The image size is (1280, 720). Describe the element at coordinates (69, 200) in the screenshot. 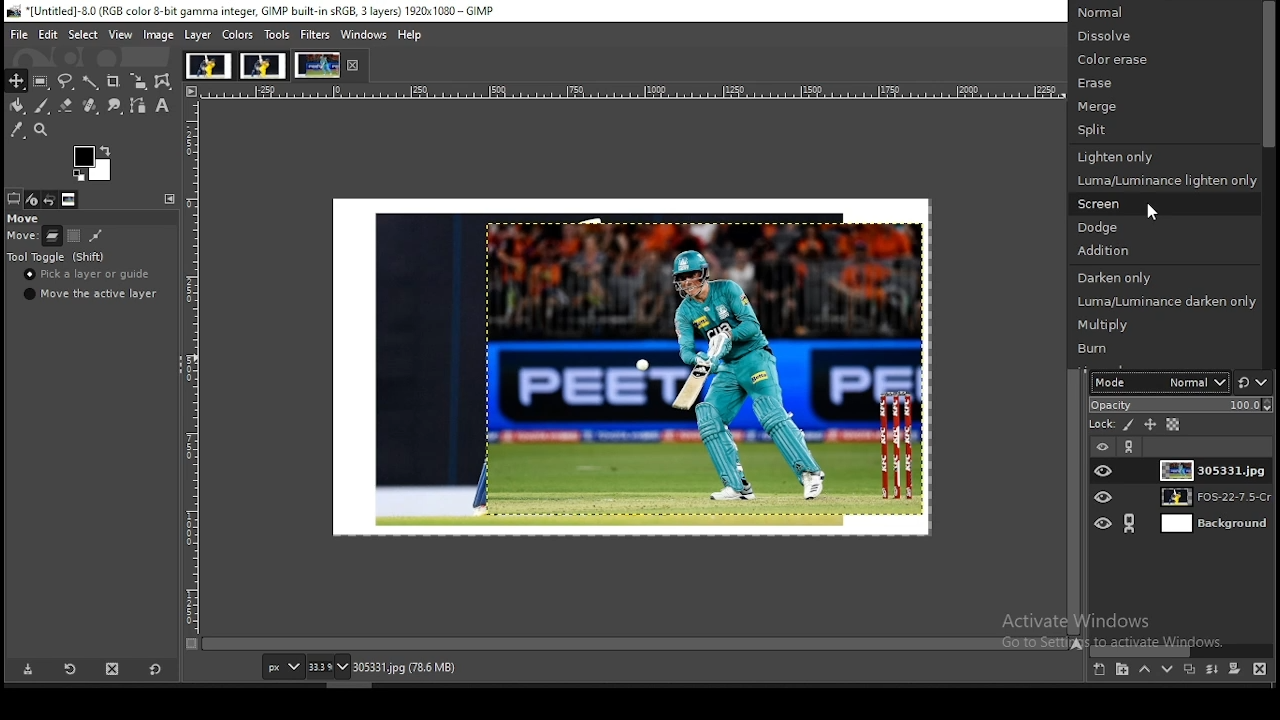

I see `images` at that location.